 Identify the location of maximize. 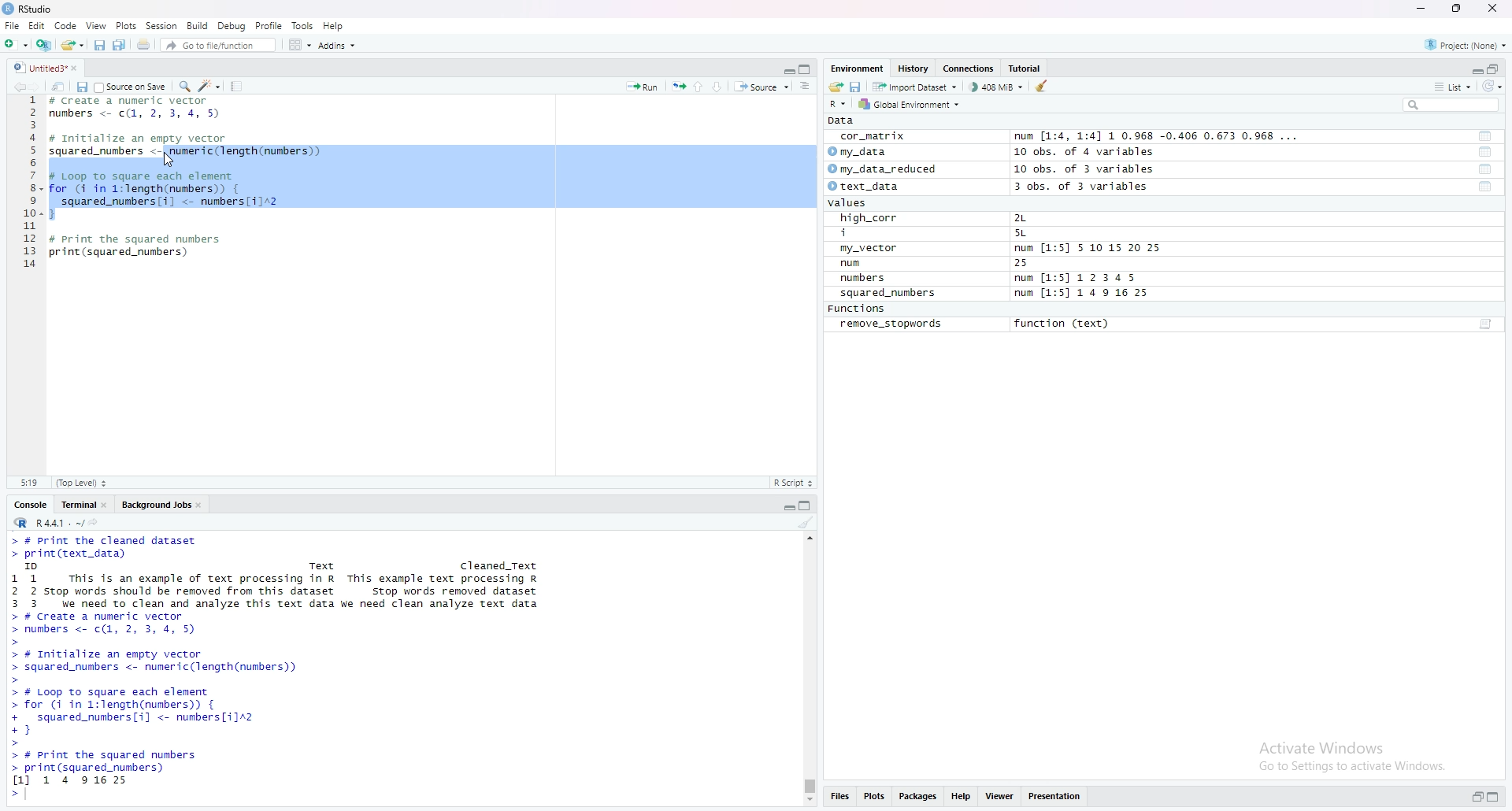
(1458, 9).